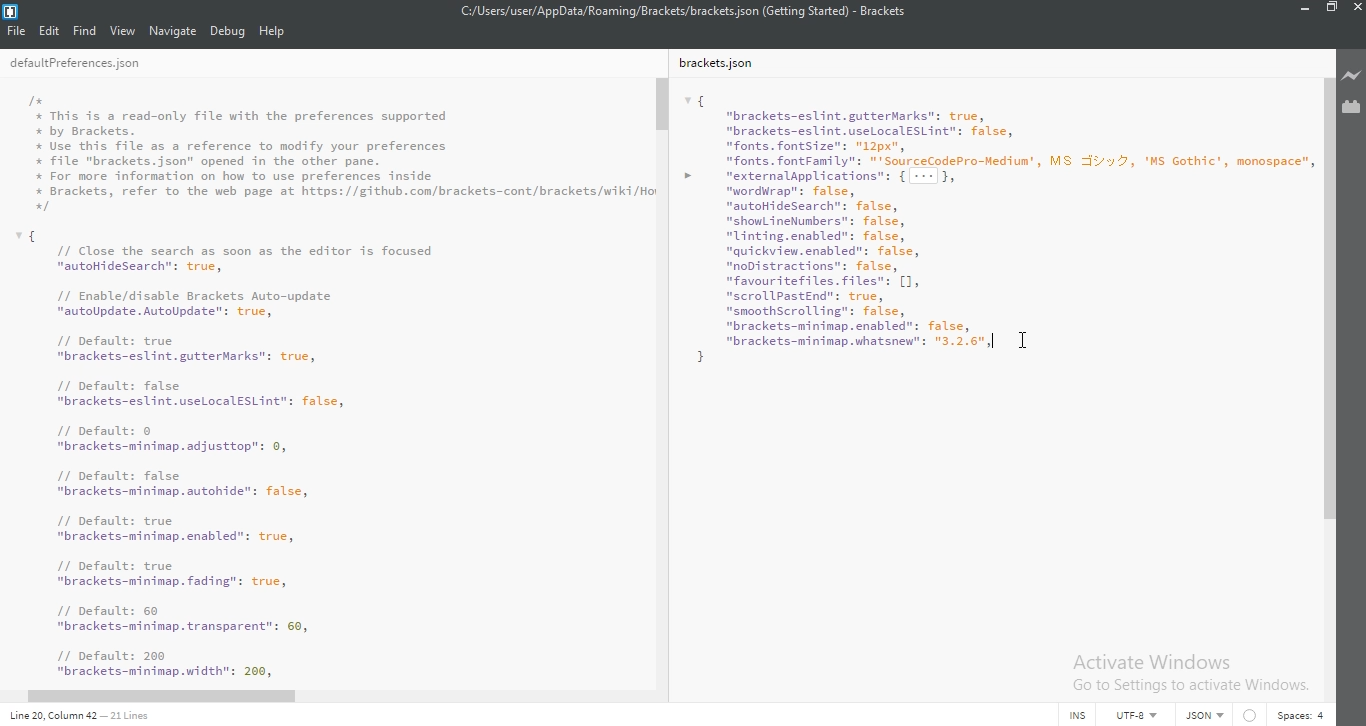  Describe the element at coordinates (123, 30) in the screenshot. I see `View ` at that location.